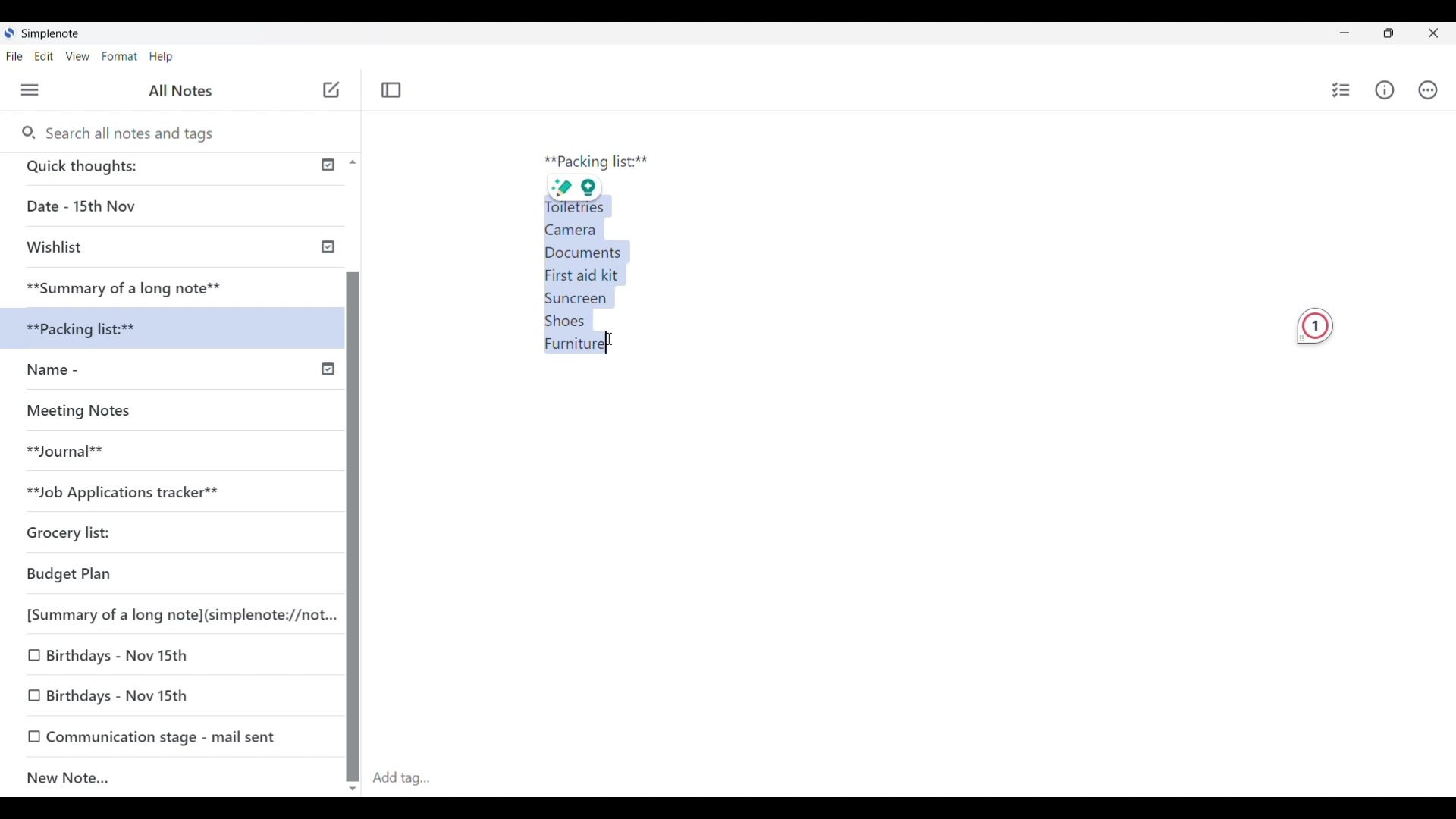 Image resolution: width=1456 pixels, height=819 pixels. Describe the element at coordinates (353, 789) in the screenshot. I see `Quick slide to bottom` at that location.